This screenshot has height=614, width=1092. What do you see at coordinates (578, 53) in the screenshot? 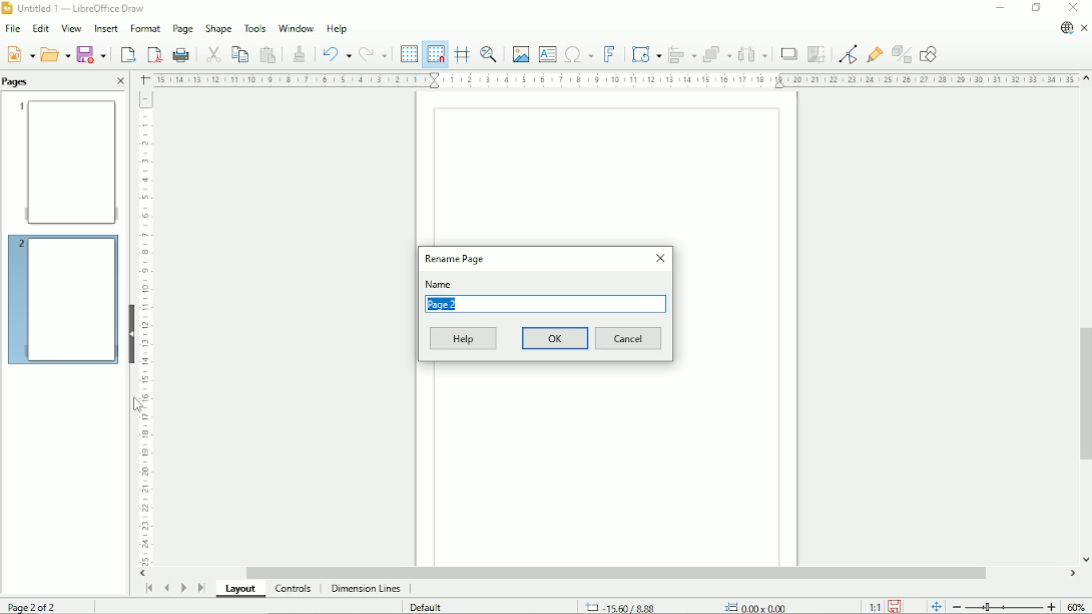
I see `Insert special character` at bounding box center [578, 53].